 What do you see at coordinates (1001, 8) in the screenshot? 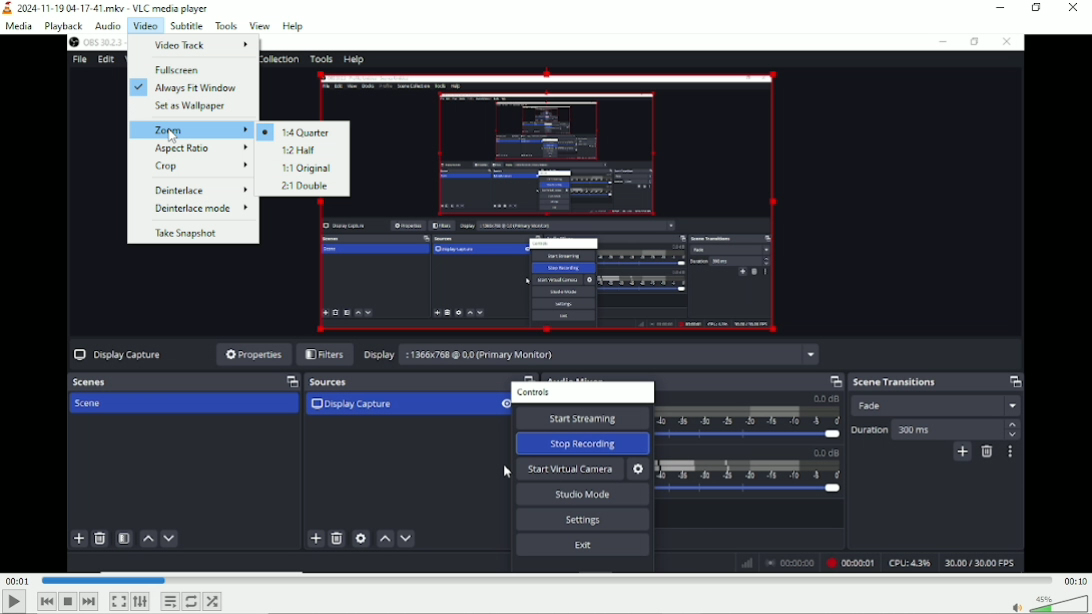
I see `Minimize` at bounding box center [1001, 8].